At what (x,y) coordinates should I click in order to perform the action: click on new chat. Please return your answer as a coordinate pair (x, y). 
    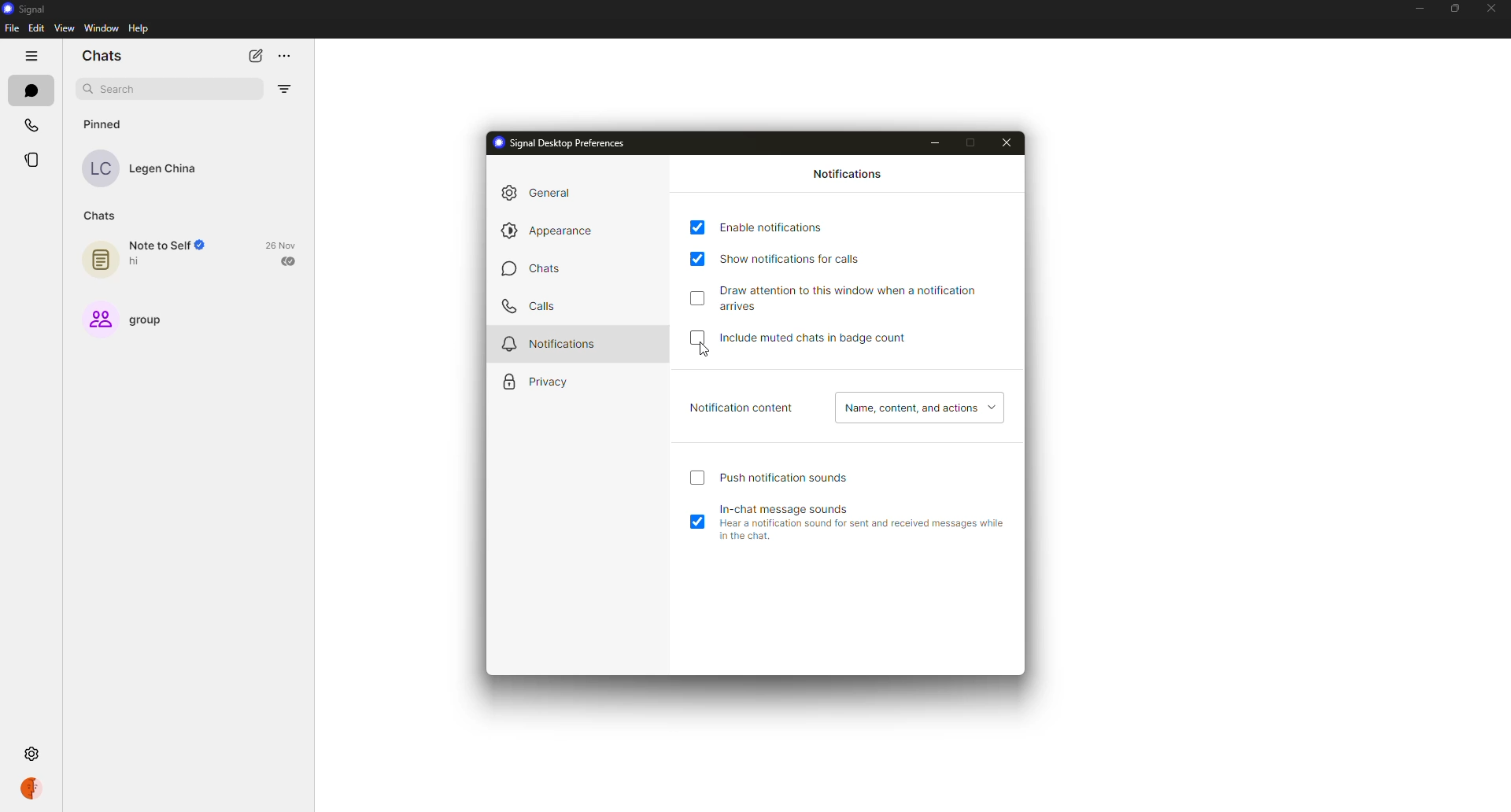
    Looking at the image, I should click on (255, 55).